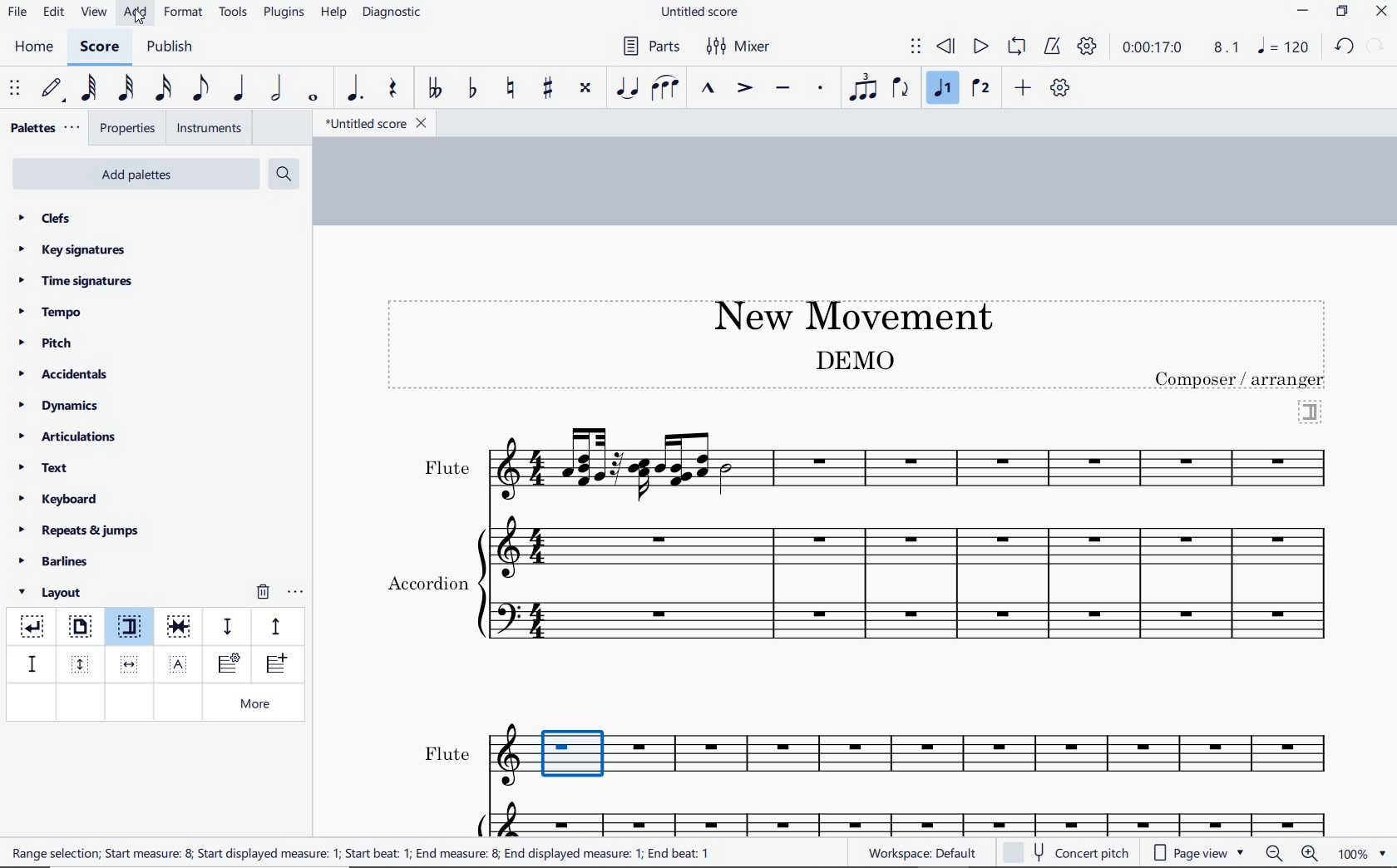 Image resolution: width=1397 pixels, height=868 pixels. Describe the element at coordinates (52, 343) in the screenshot. I see `pitch` at that location.